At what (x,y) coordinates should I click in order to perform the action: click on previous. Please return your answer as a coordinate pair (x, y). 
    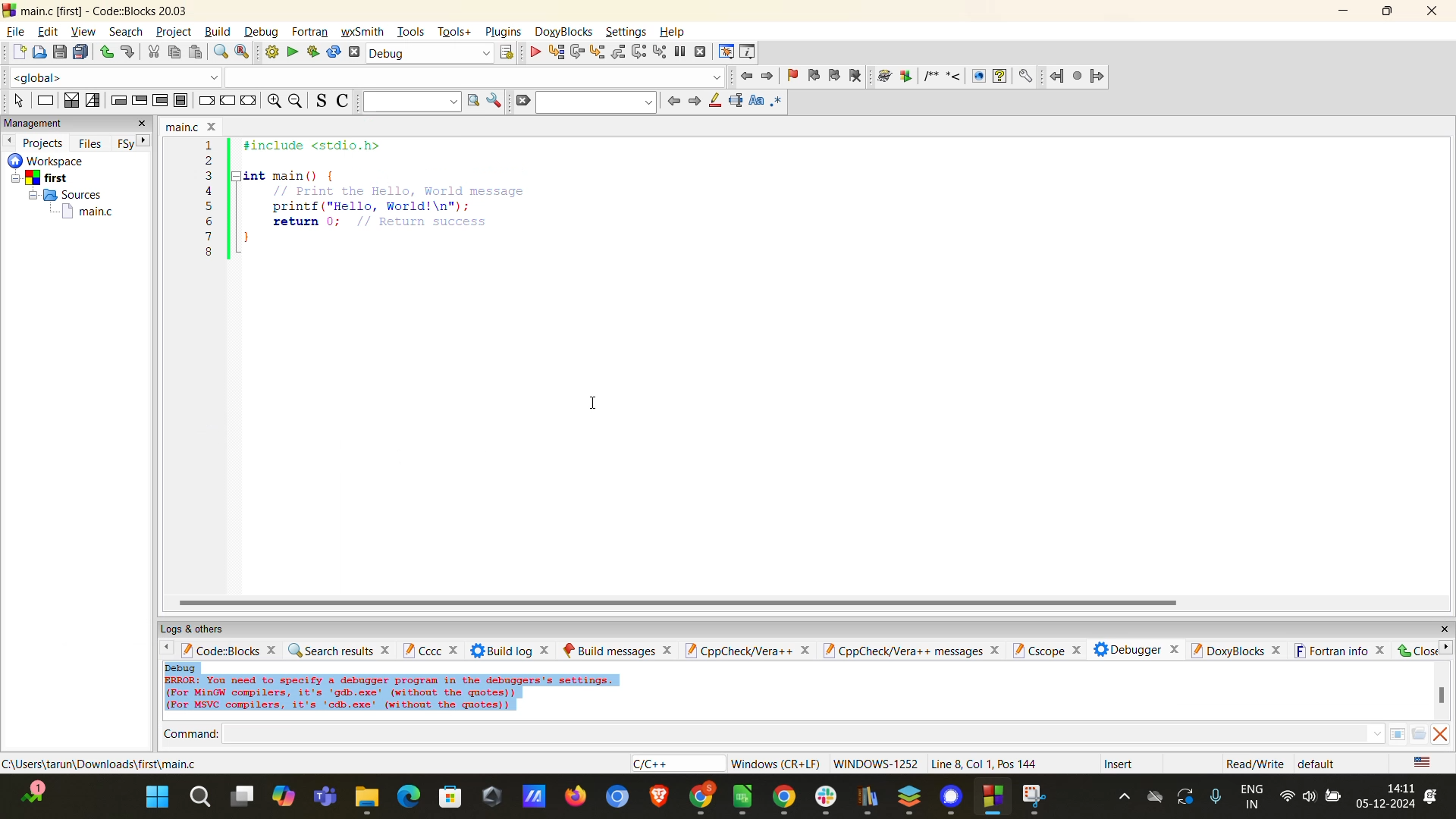
    Looking at the image, I should click on (672, 105).